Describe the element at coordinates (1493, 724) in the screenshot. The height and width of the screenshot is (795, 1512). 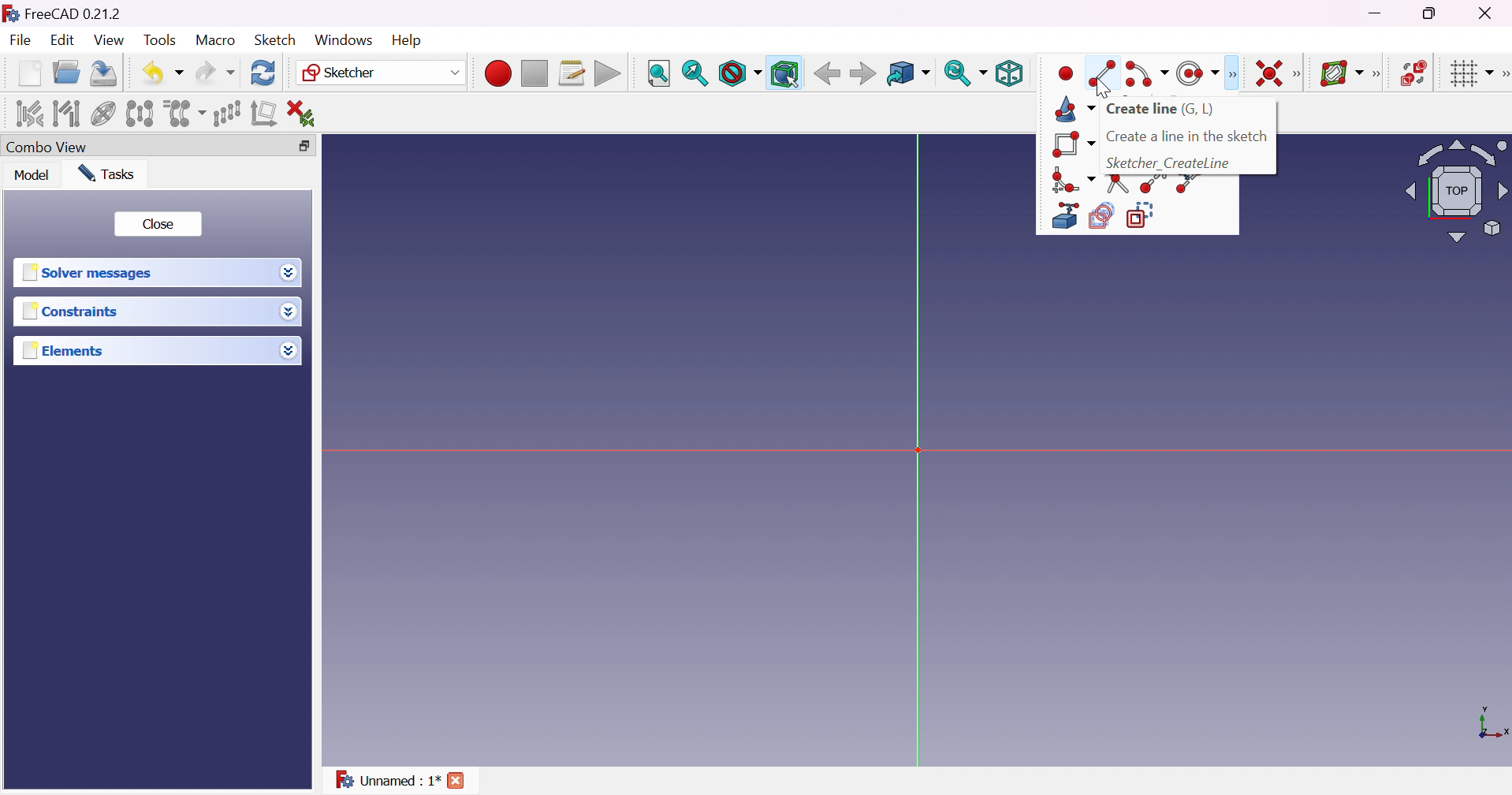
I see `x, y plane` at that location.